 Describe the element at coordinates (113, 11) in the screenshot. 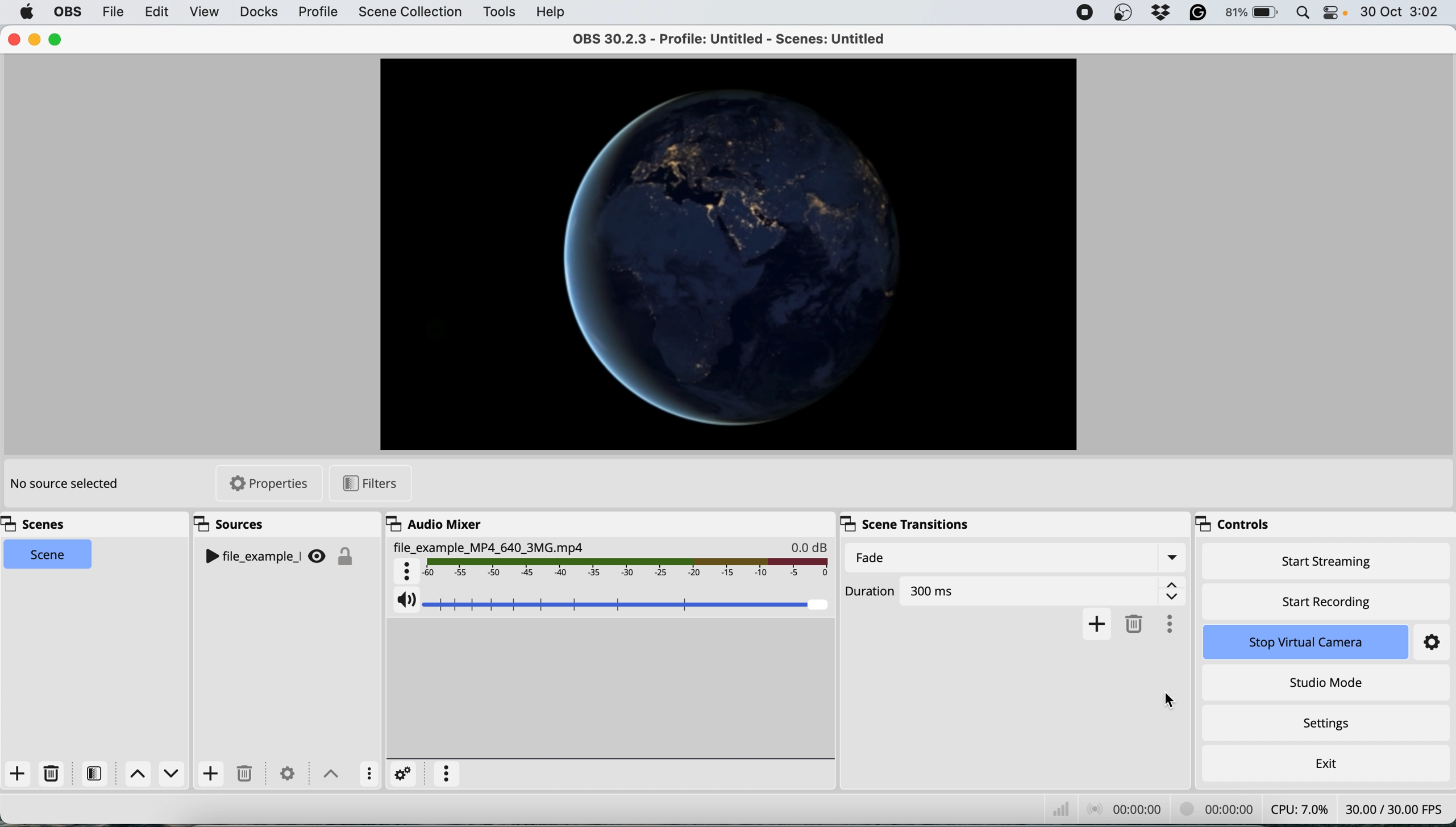

I see `file` at that location.